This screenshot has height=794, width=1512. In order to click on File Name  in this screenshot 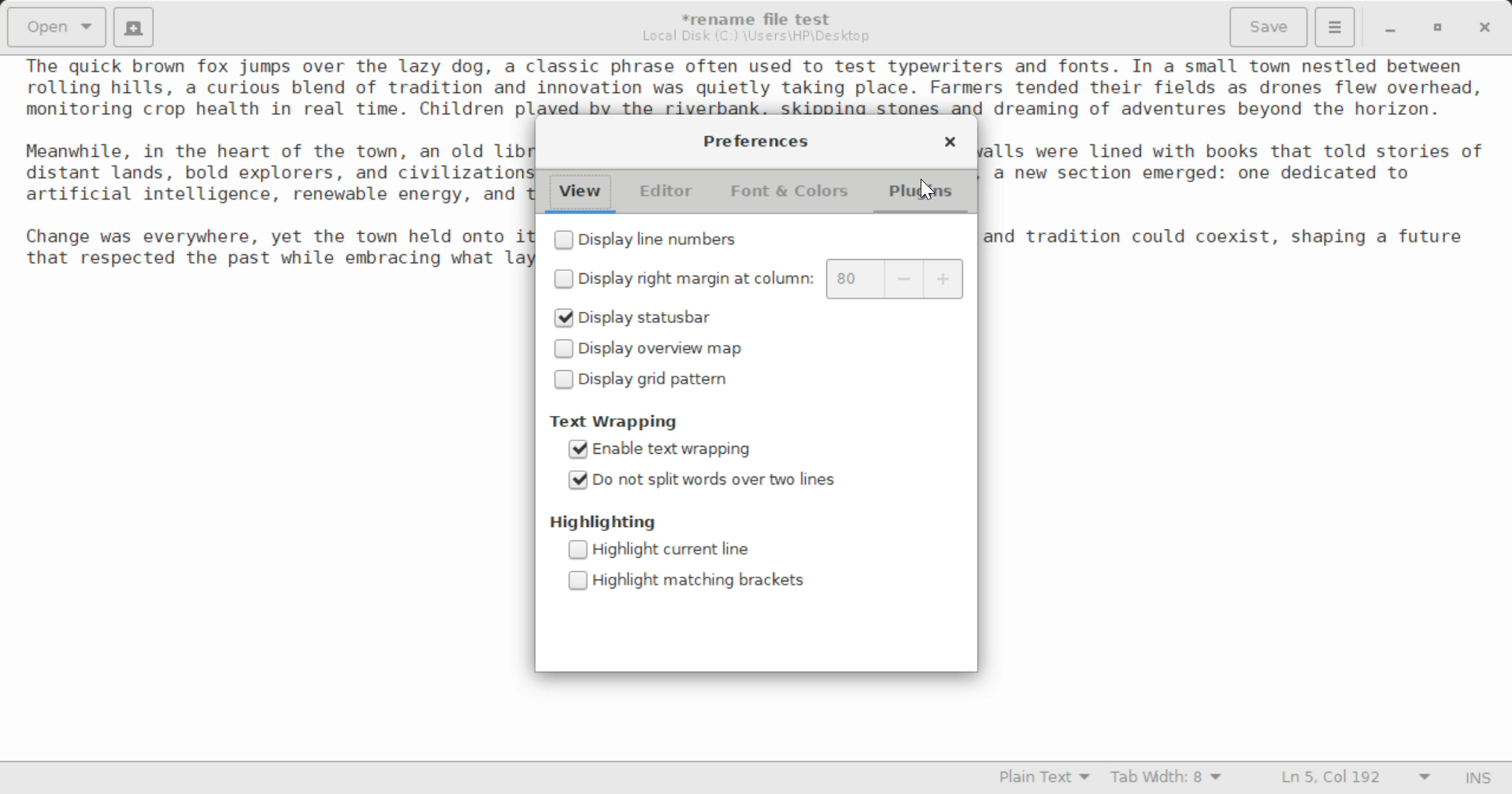, I will do `click(761, 17)`.